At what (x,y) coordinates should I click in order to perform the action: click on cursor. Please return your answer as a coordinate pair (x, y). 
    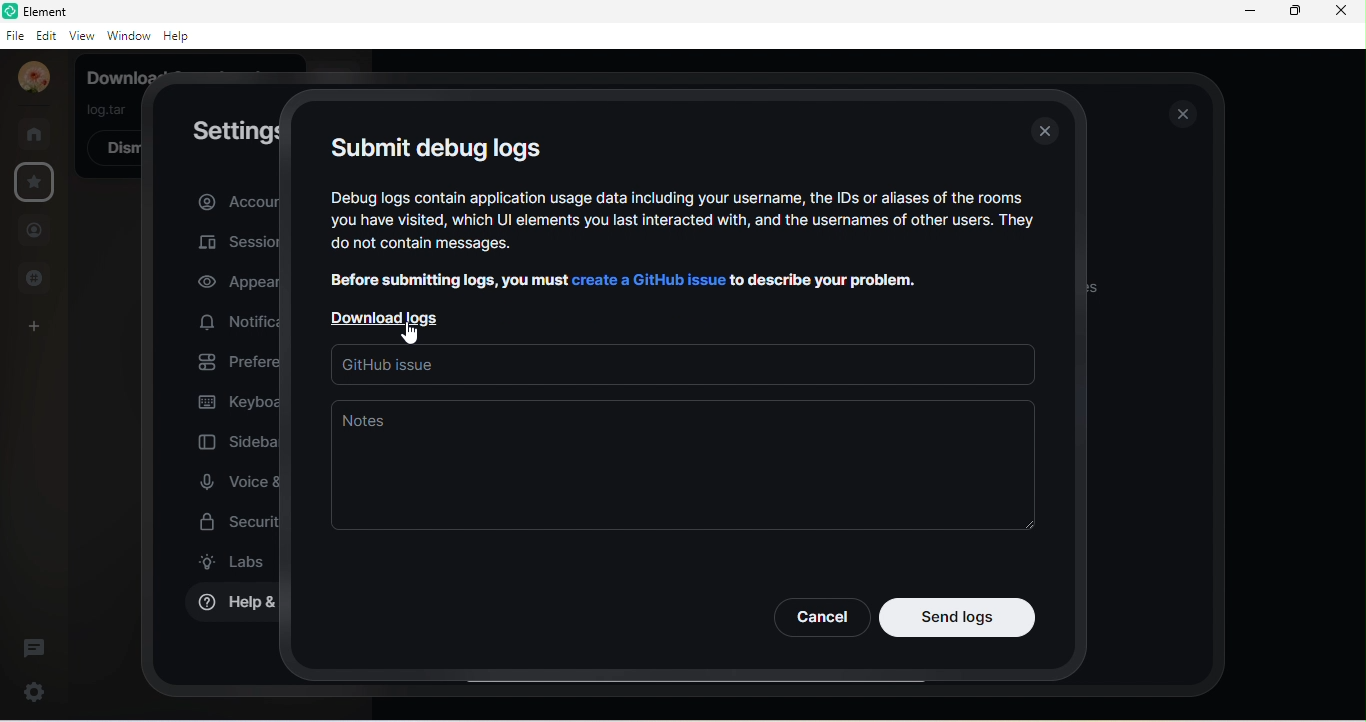
    Looking at the image, I should click on (406, 327).